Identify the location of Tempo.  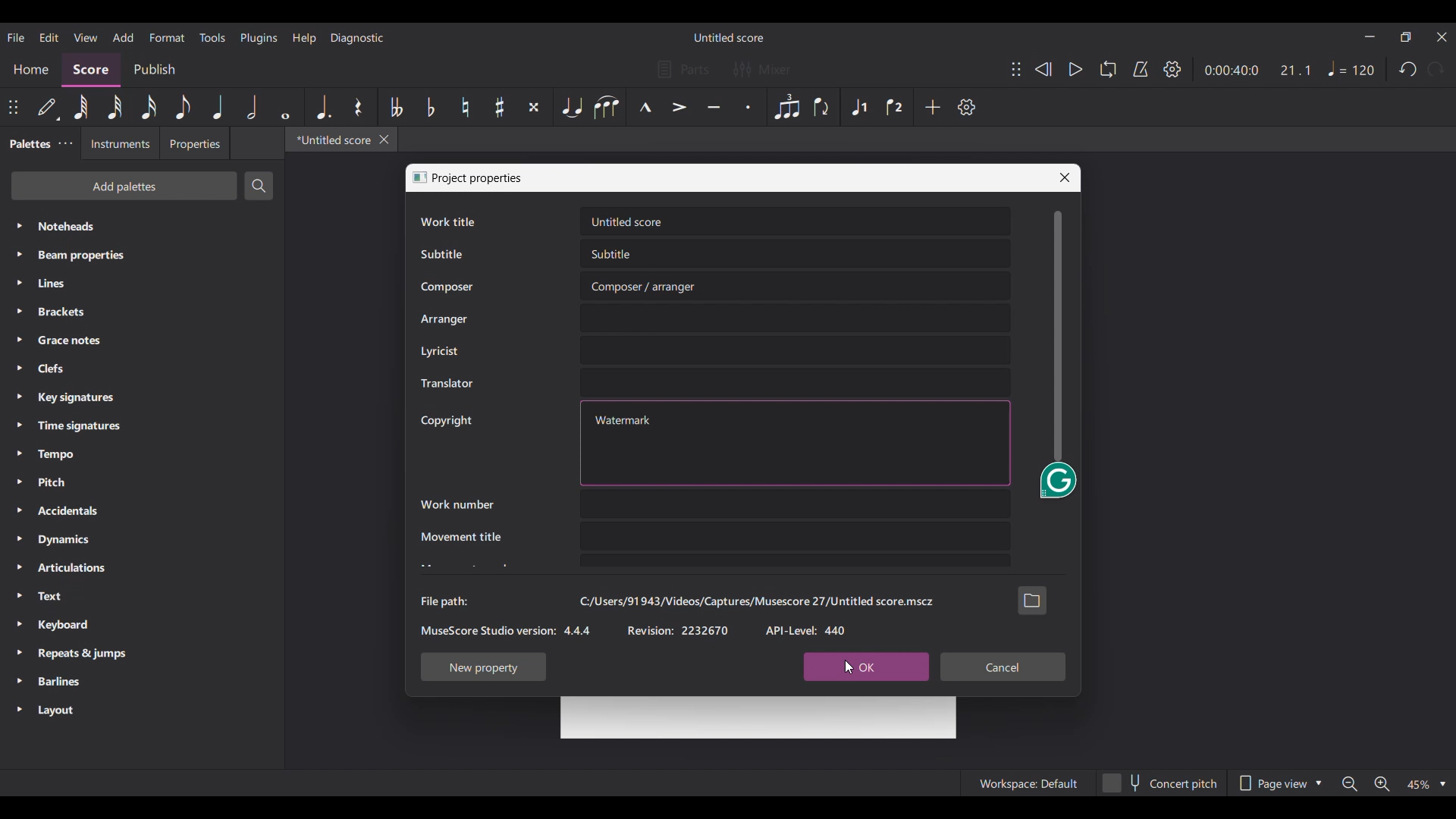
(1352, 68).